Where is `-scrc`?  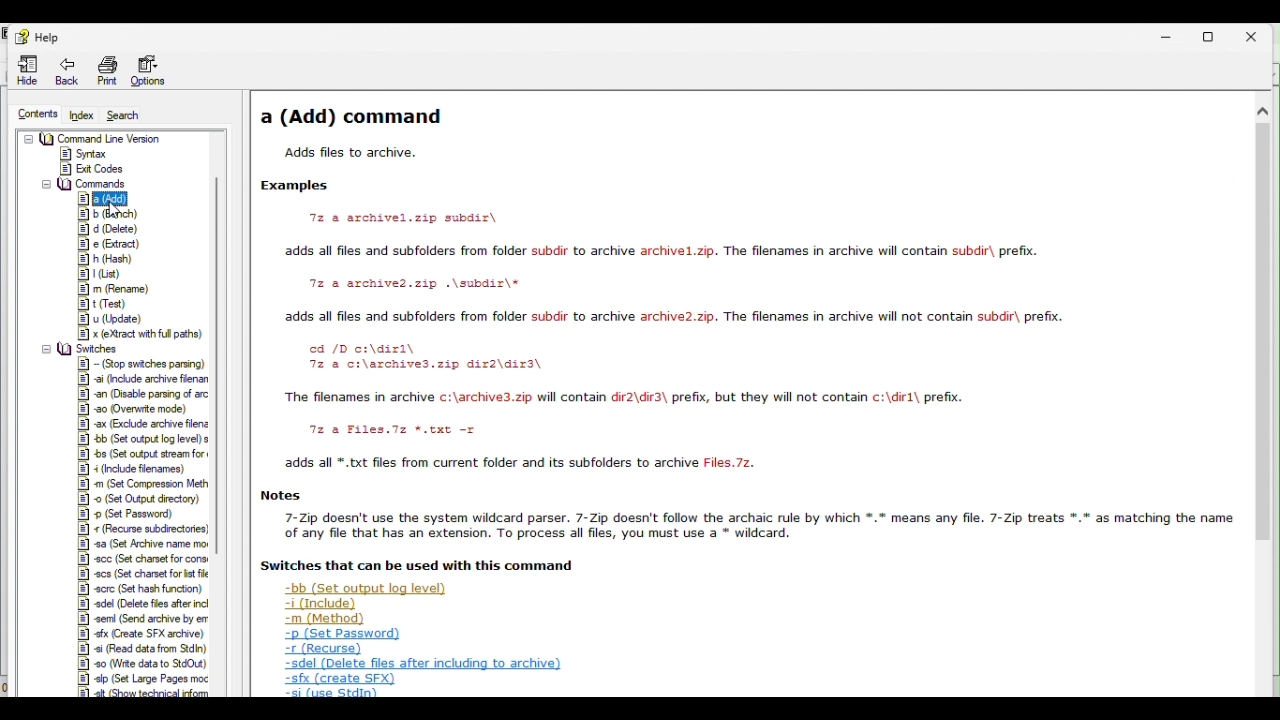 -scrc is located at coordinates (140, 589).